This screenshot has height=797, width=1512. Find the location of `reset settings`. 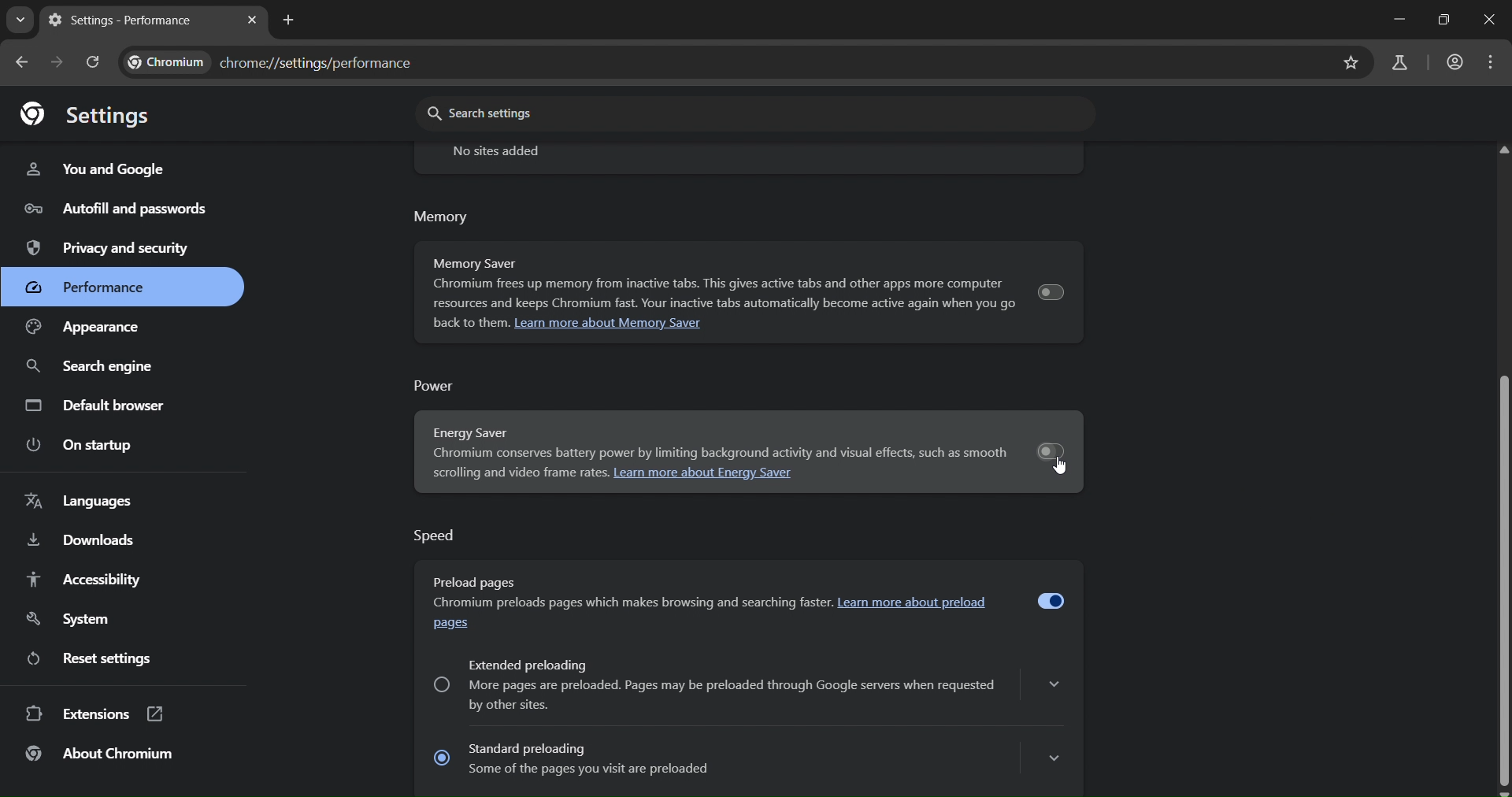

reset settings is located at coordinates (112, 658).